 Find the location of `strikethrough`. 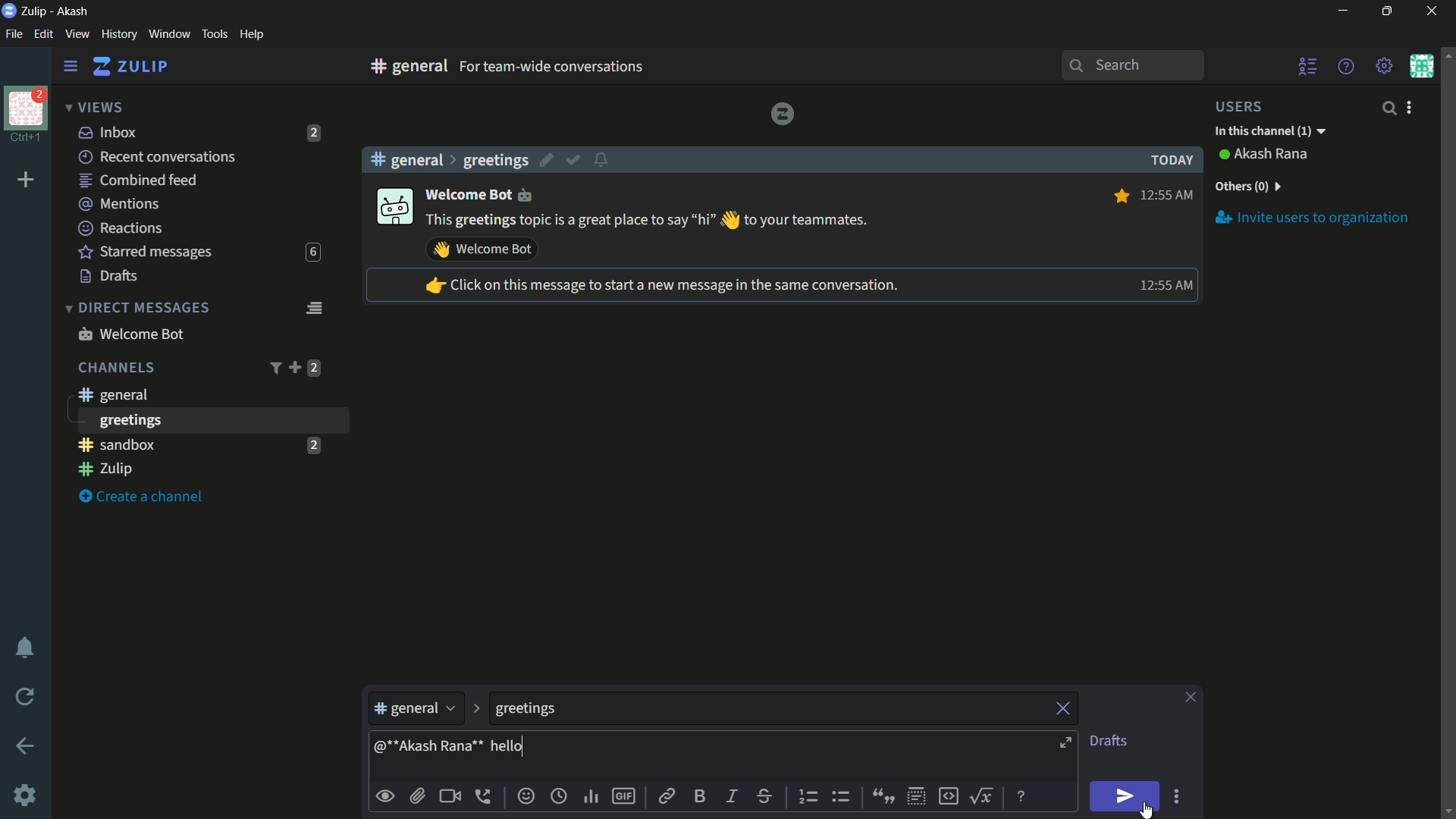

strikethrough is located at coordinates (765, 798).